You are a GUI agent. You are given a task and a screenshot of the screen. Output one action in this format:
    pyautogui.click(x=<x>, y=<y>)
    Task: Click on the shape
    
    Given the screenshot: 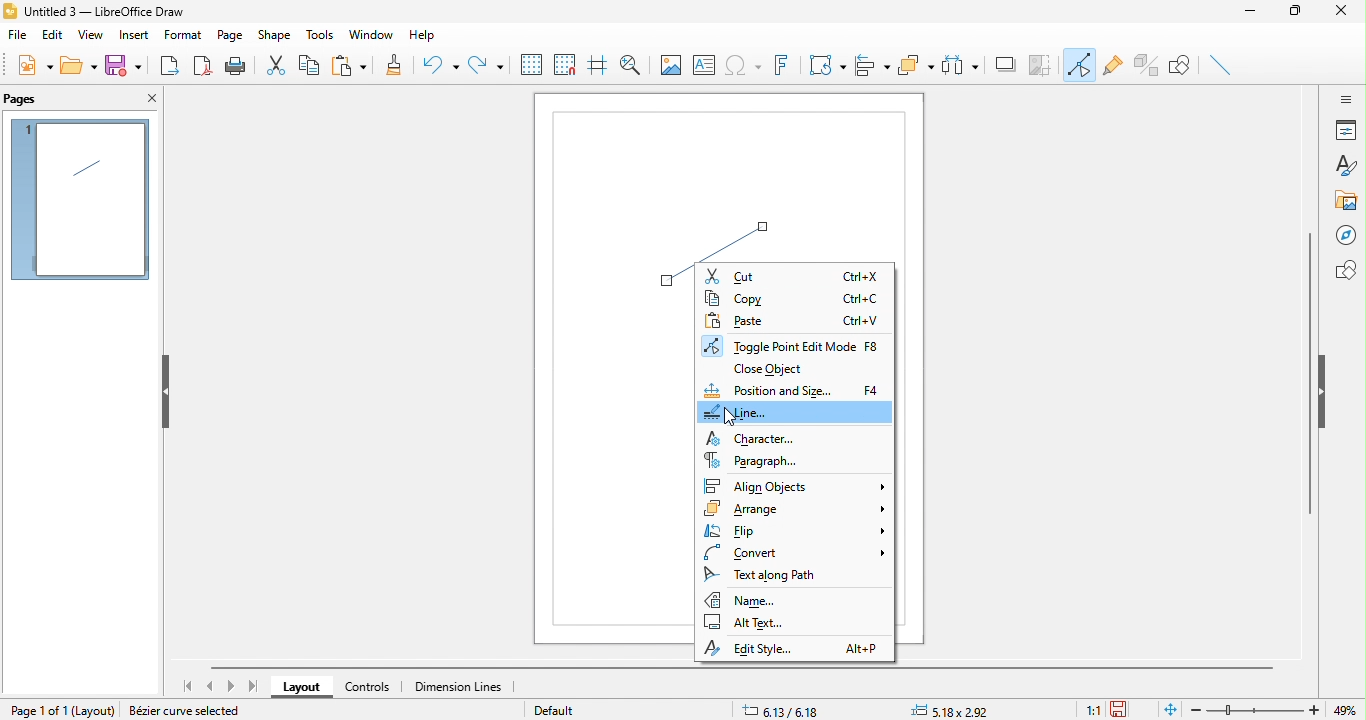 What is the action you would take?
    pyautogui.click(x=275, y=36)
    